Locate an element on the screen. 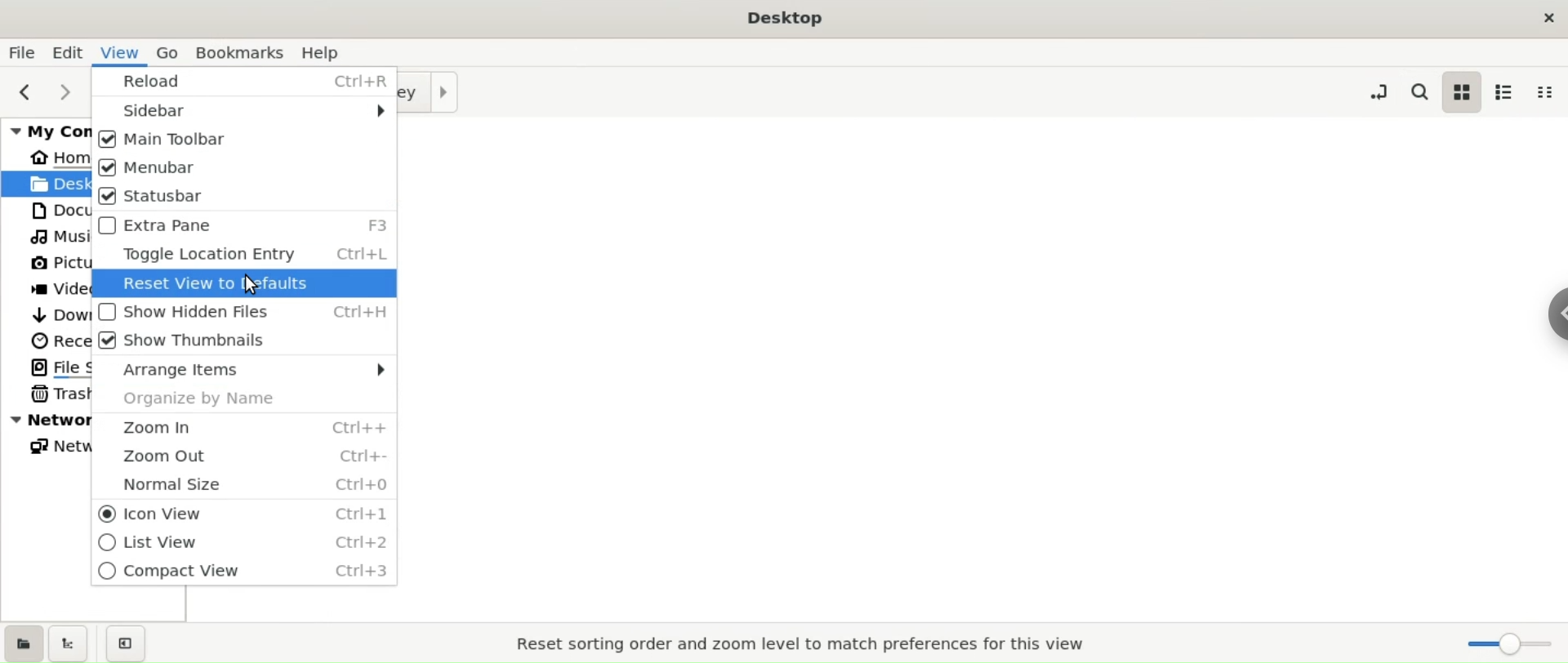 The image size is (1568, 663). list view is located at coordinates (242, 543).